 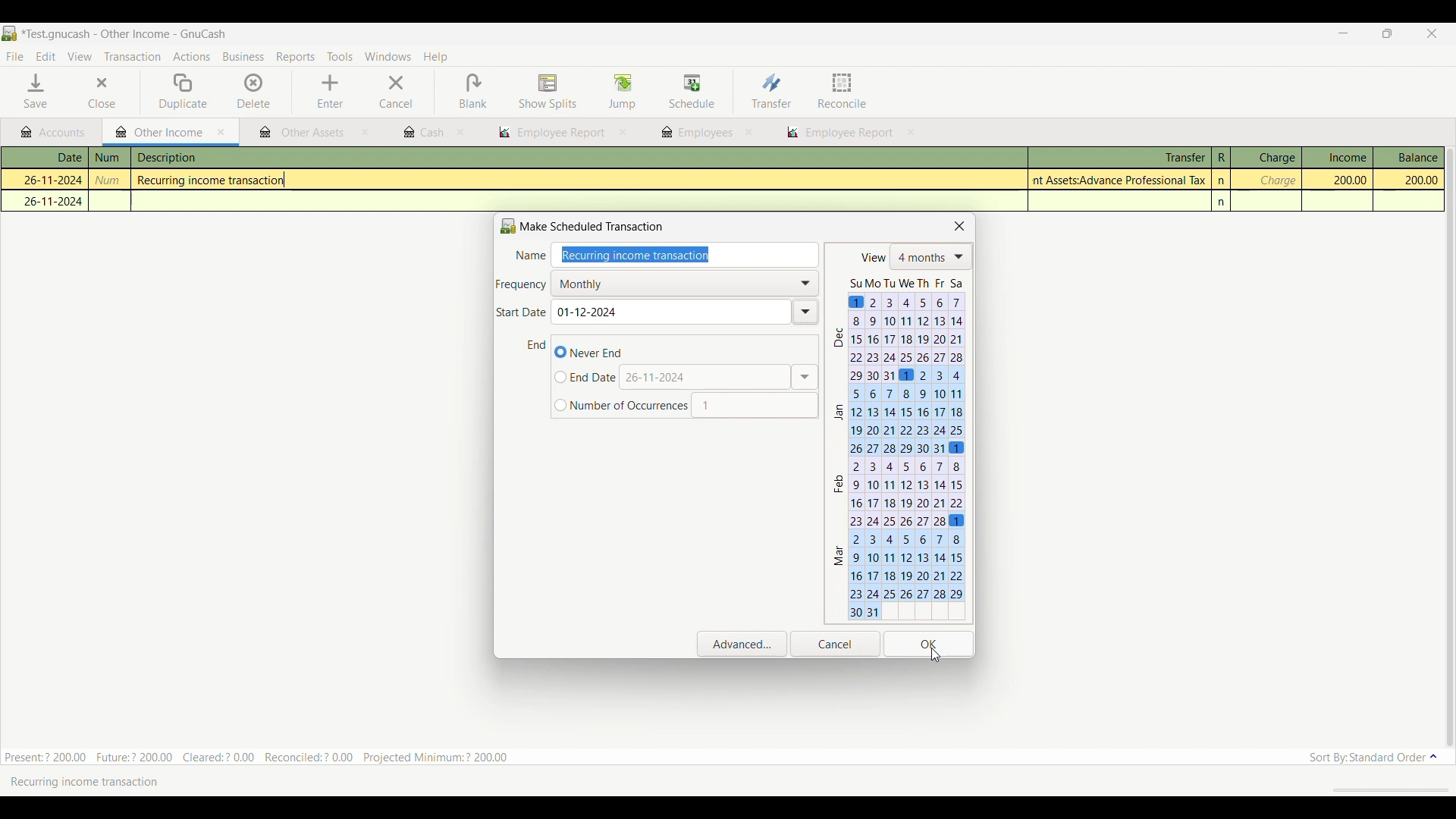 I want to click on Date, so click(x=53, y=158).